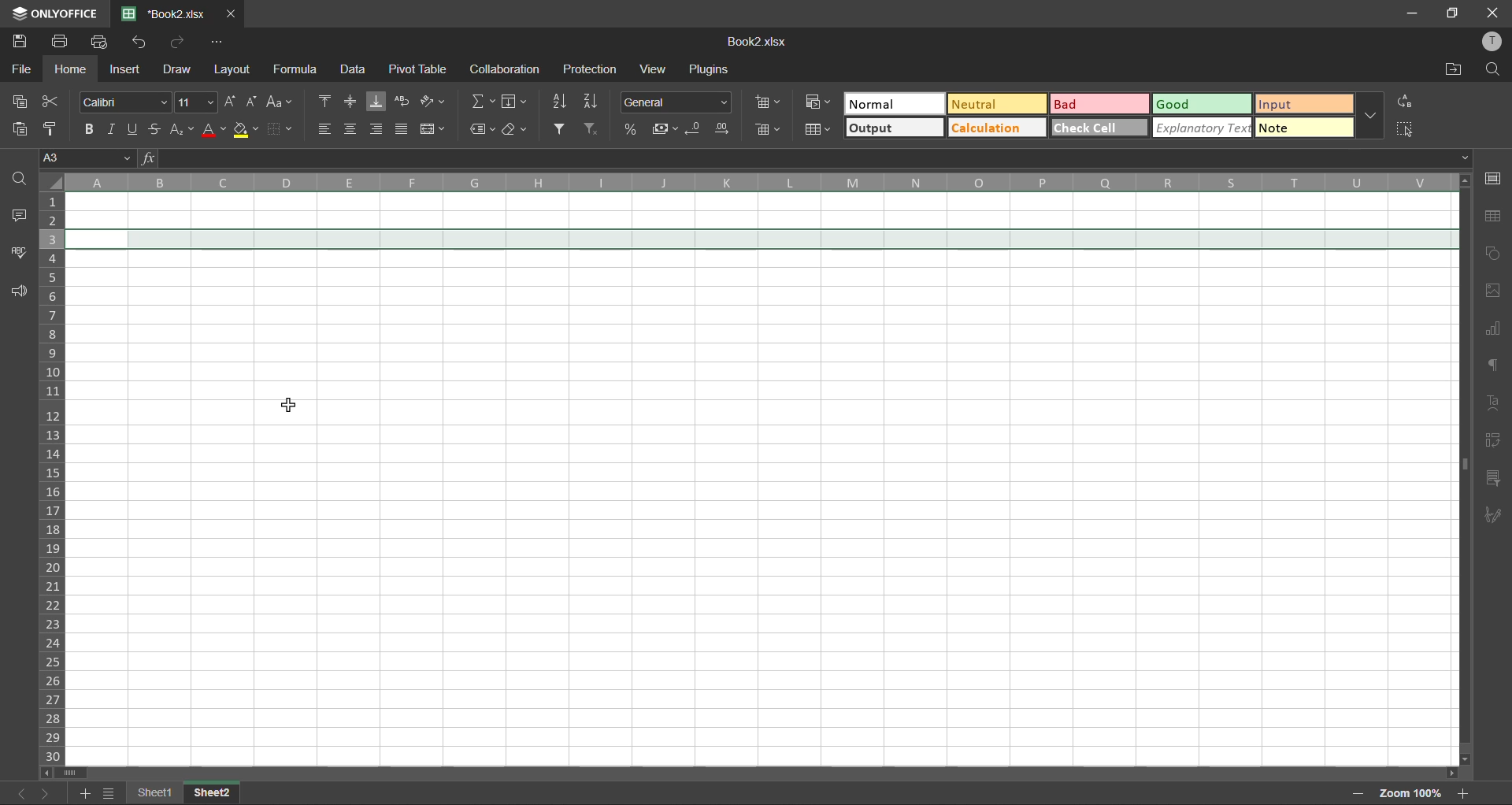  What do you see at coordinates (676, 102) in the screenshot?
I see `number format` at bounding box center [676, 102].